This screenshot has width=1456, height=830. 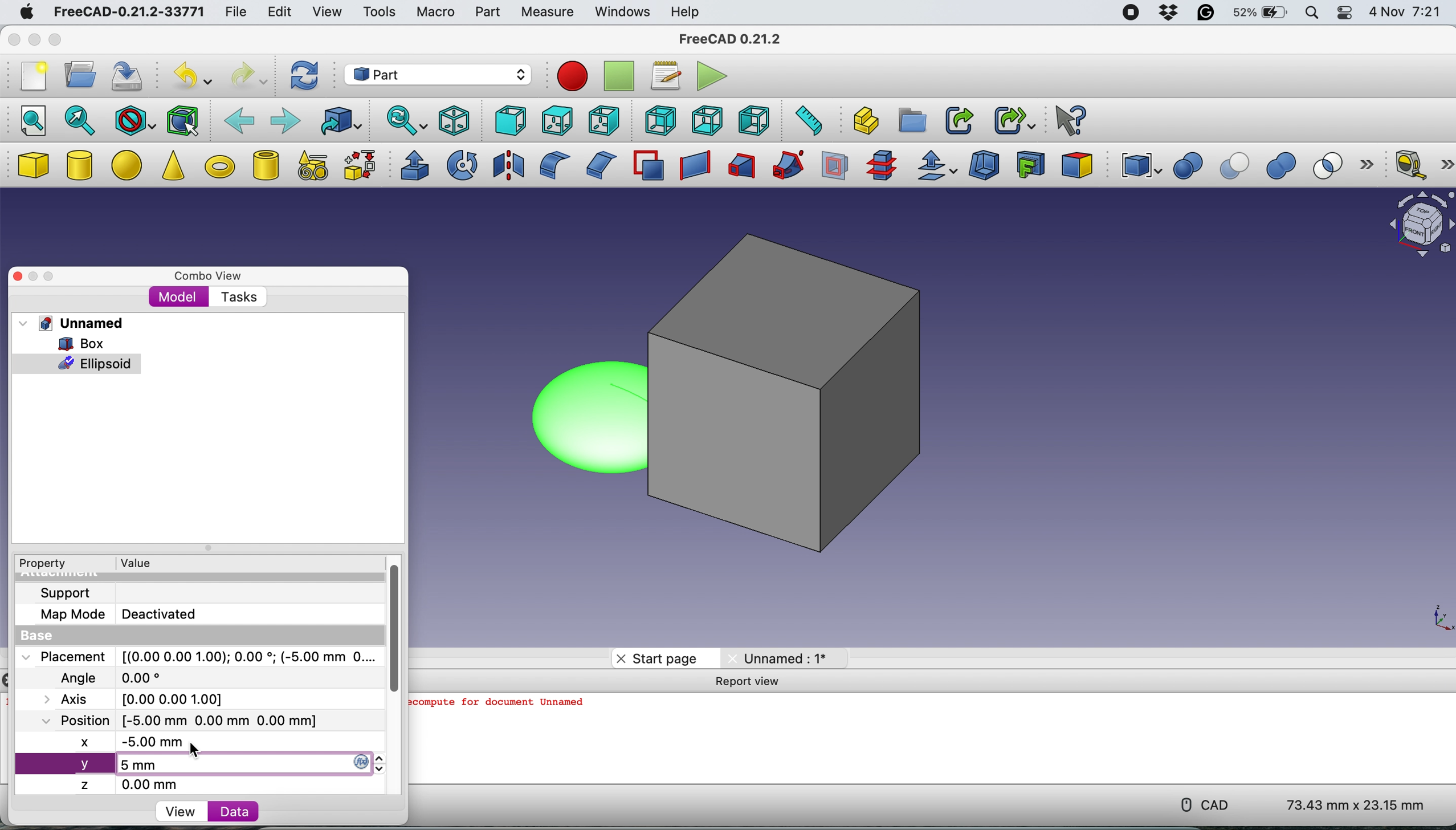 What do you see at coordinates (1068, 119) in the screenshot?
I see `What's this?` at bounding box center [1068, 119].